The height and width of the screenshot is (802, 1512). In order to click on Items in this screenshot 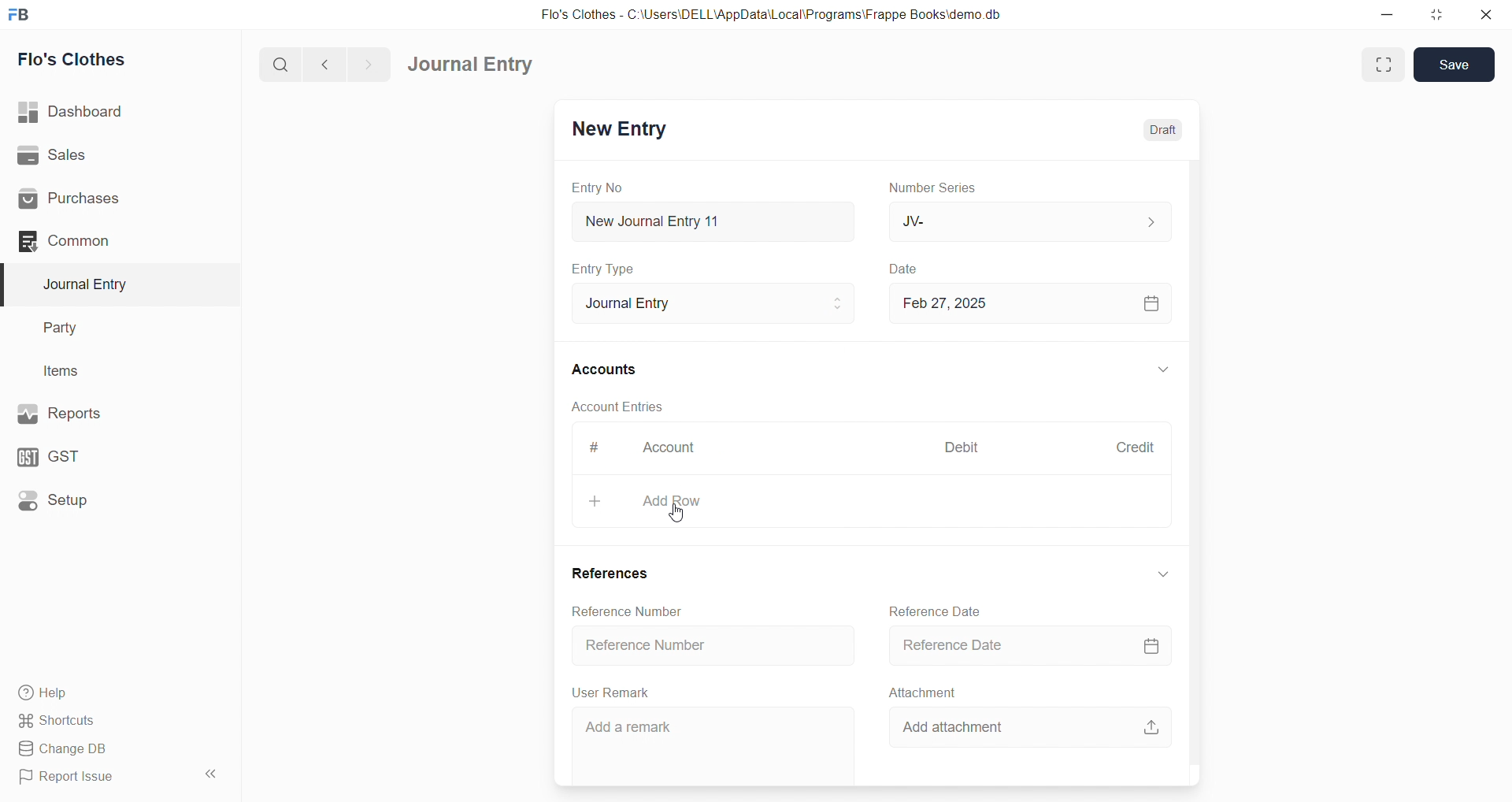, I will do `click(67, 370)`.